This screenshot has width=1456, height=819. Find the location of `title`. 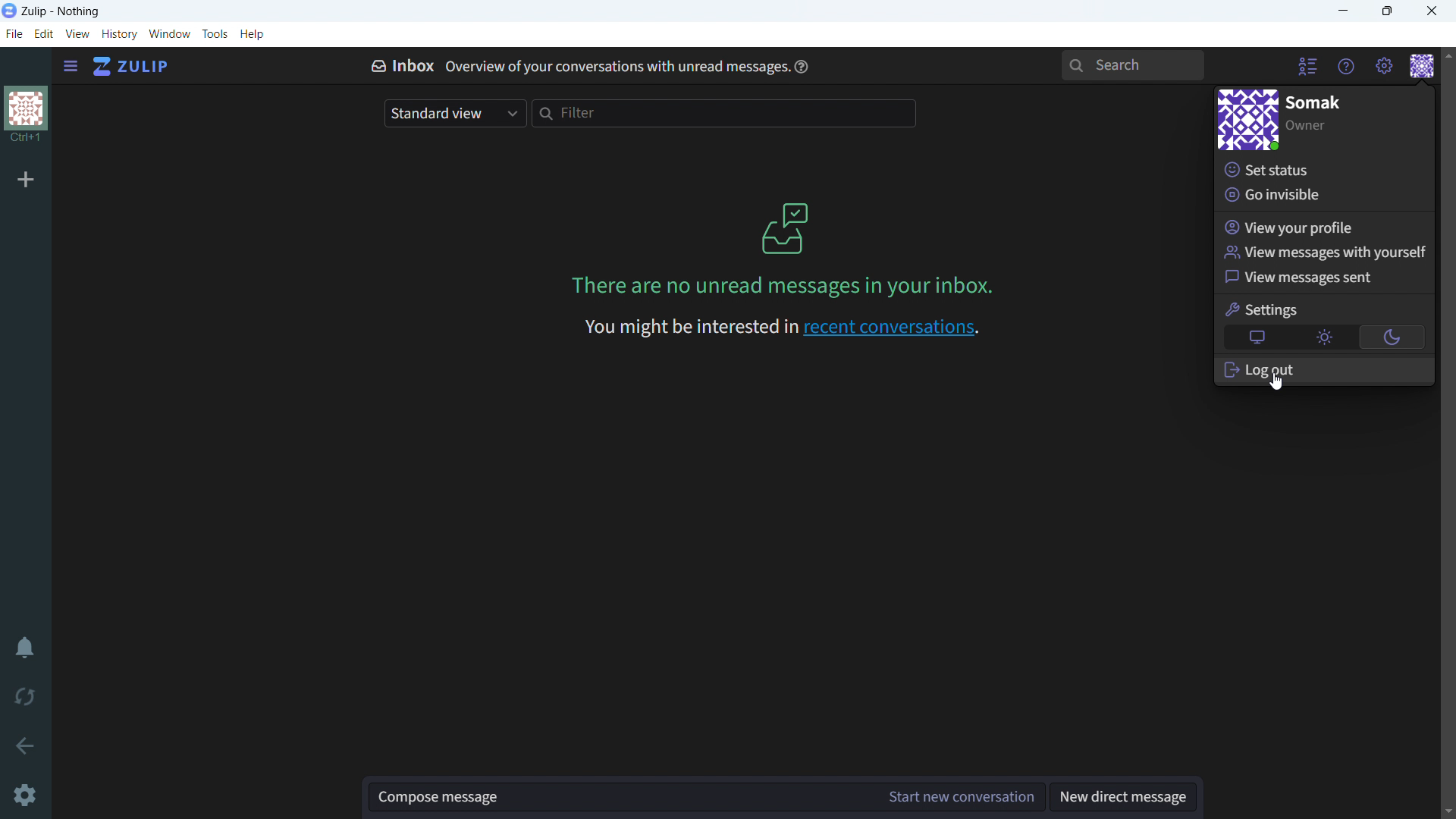

title is located at coordinates (61, 12).